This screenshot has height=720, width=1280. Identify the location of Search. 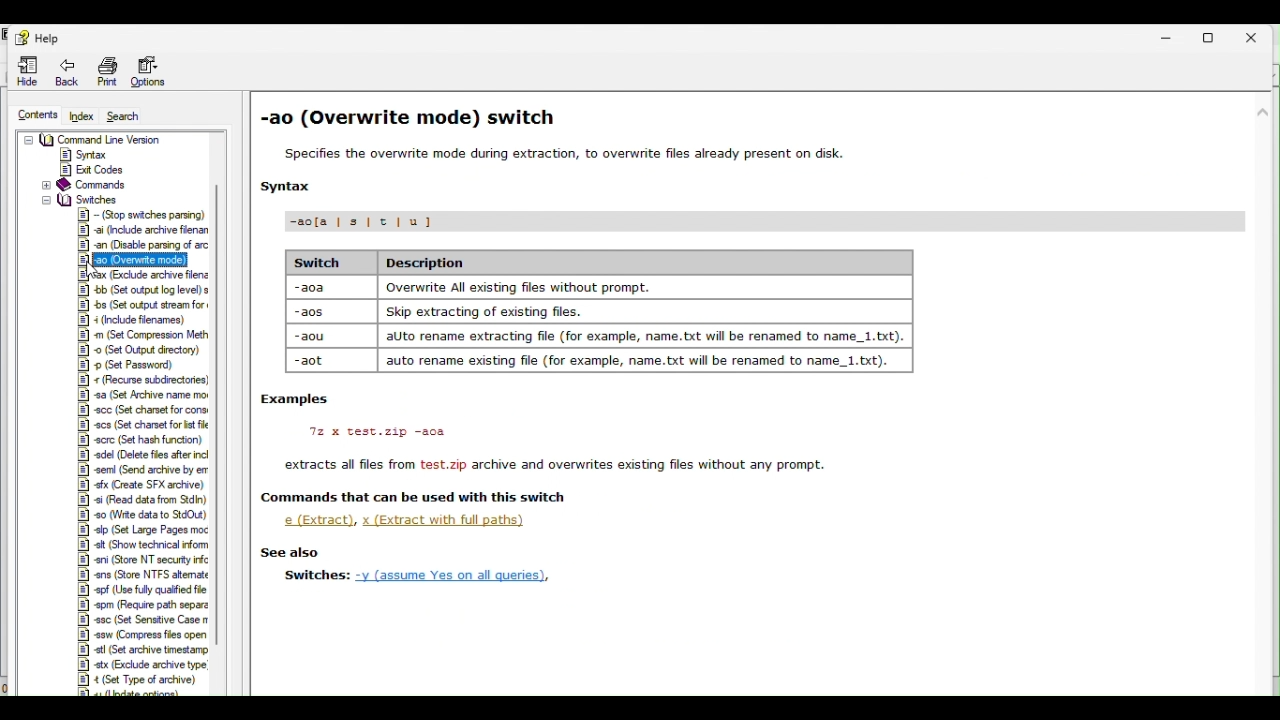
(129, 117).